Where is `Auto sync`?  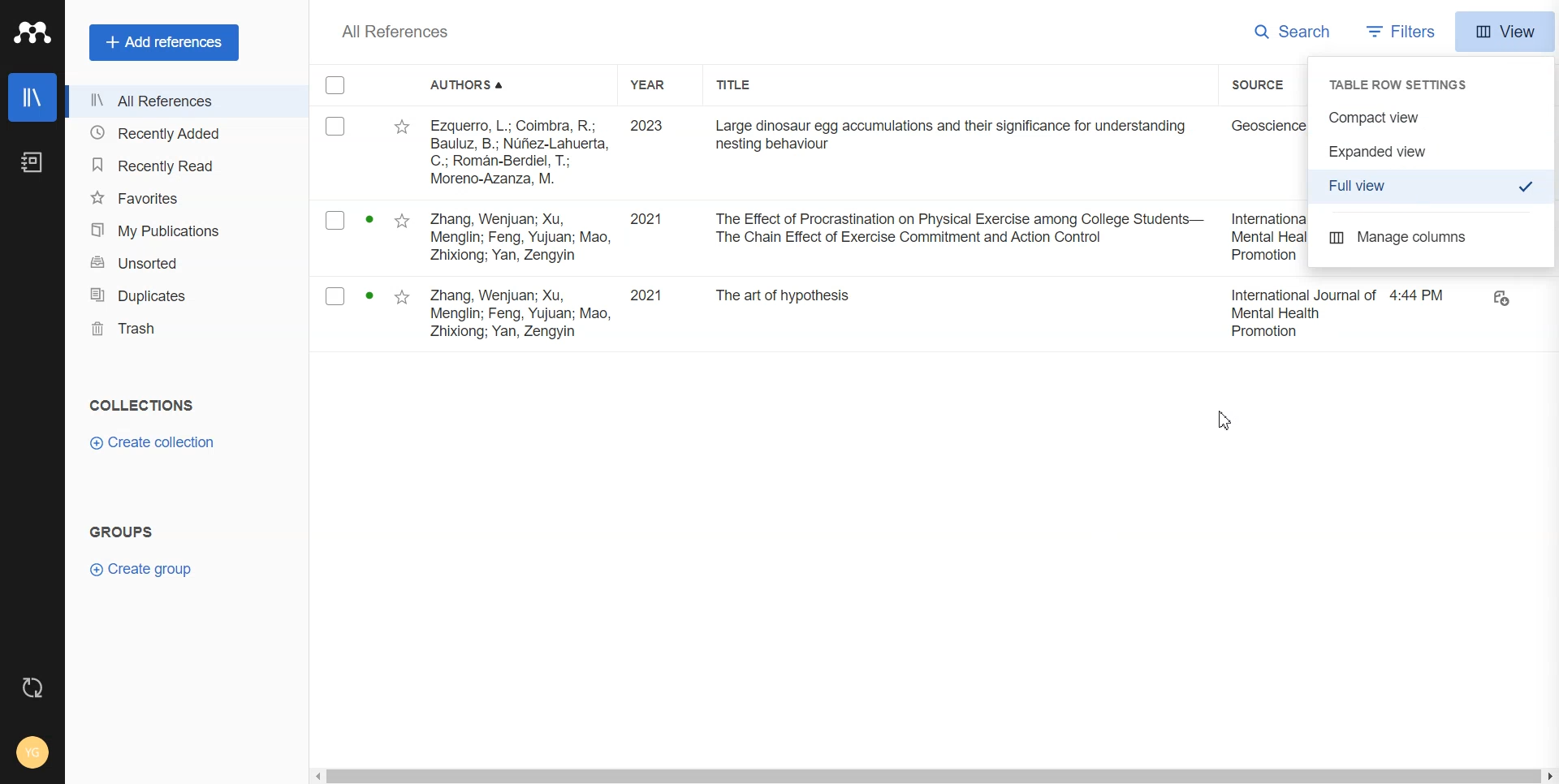
Auto sync is located at coordinates (31, 687).